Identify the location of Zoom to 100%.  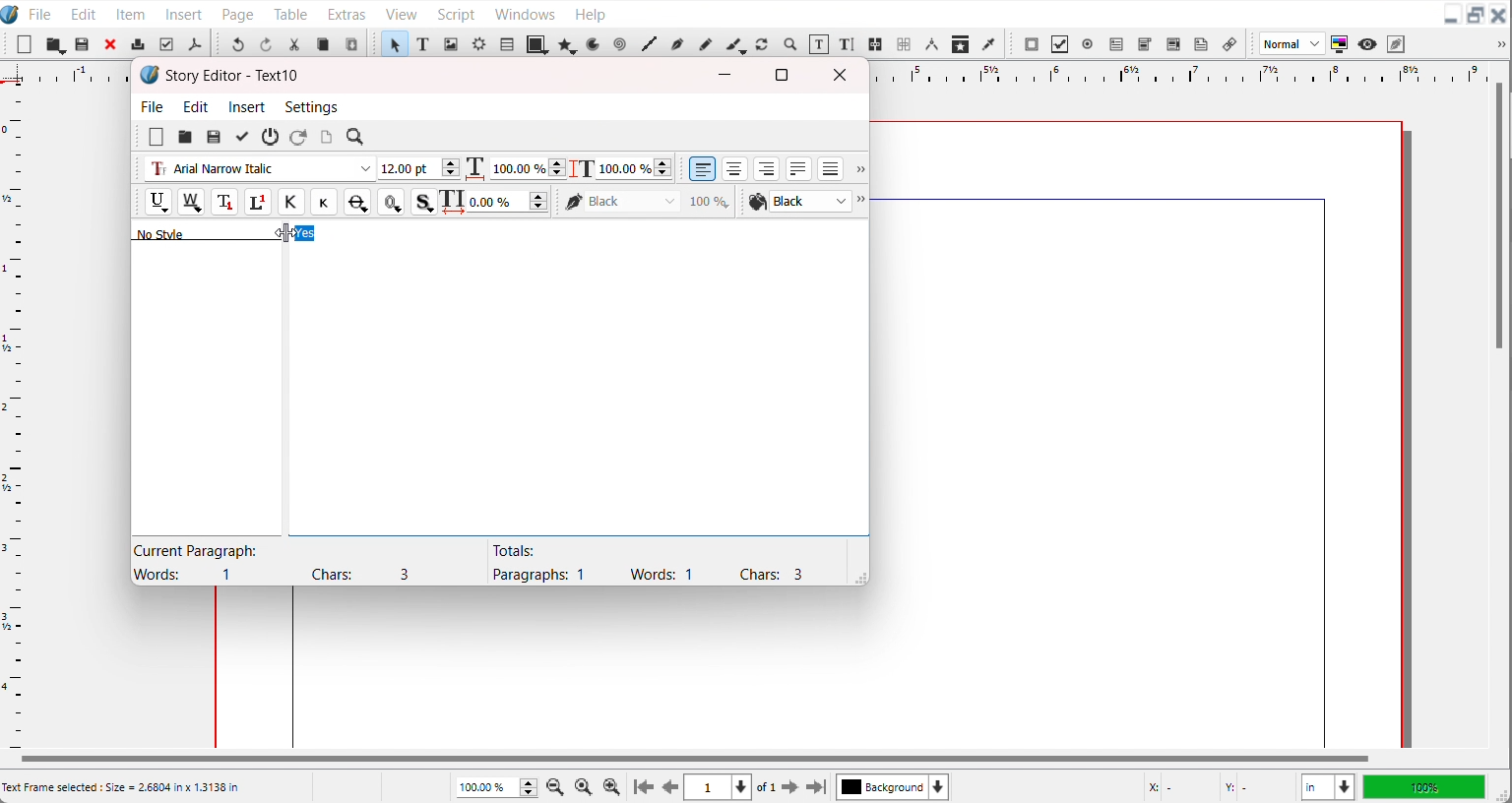
(585, 785).